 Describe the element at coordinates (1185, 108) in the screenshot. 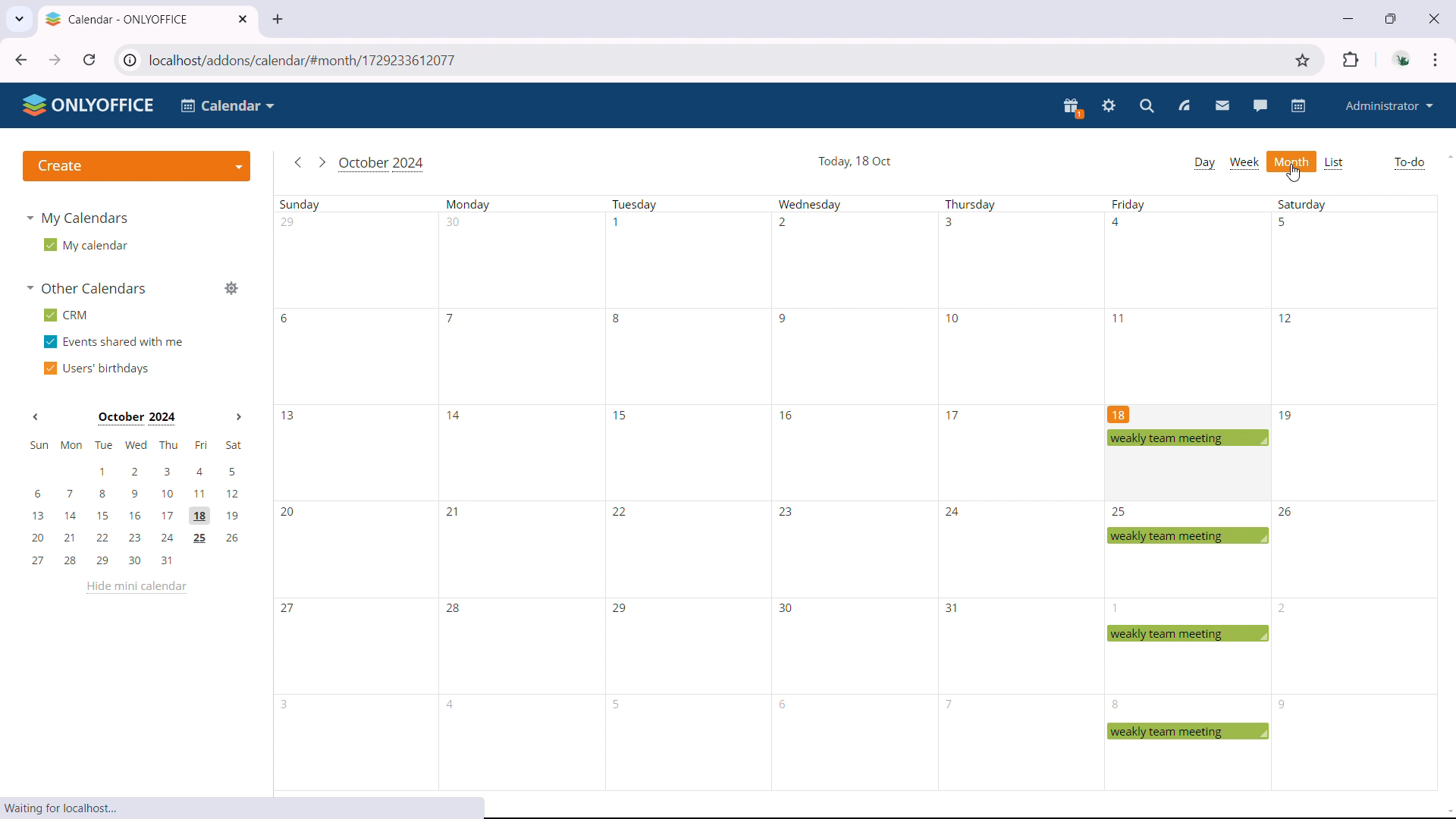

I see `feed` at that location.